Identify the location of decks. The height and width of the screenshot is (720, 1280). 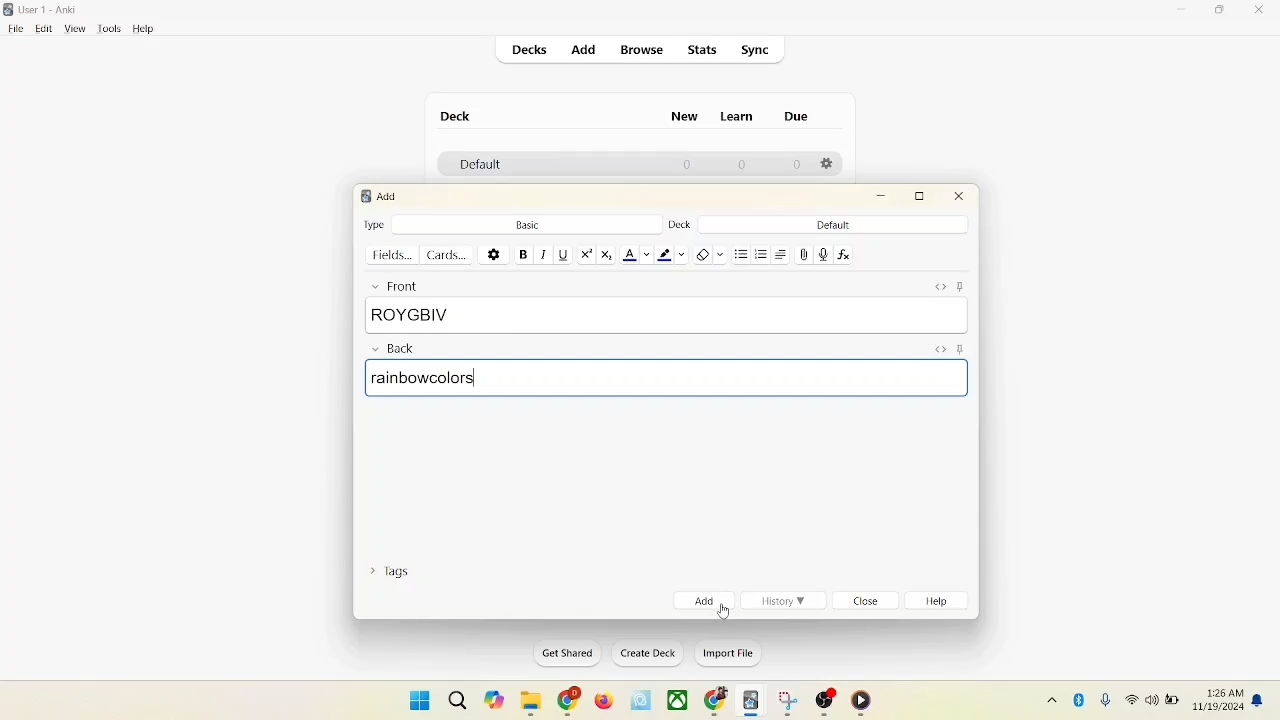
(531, 50).